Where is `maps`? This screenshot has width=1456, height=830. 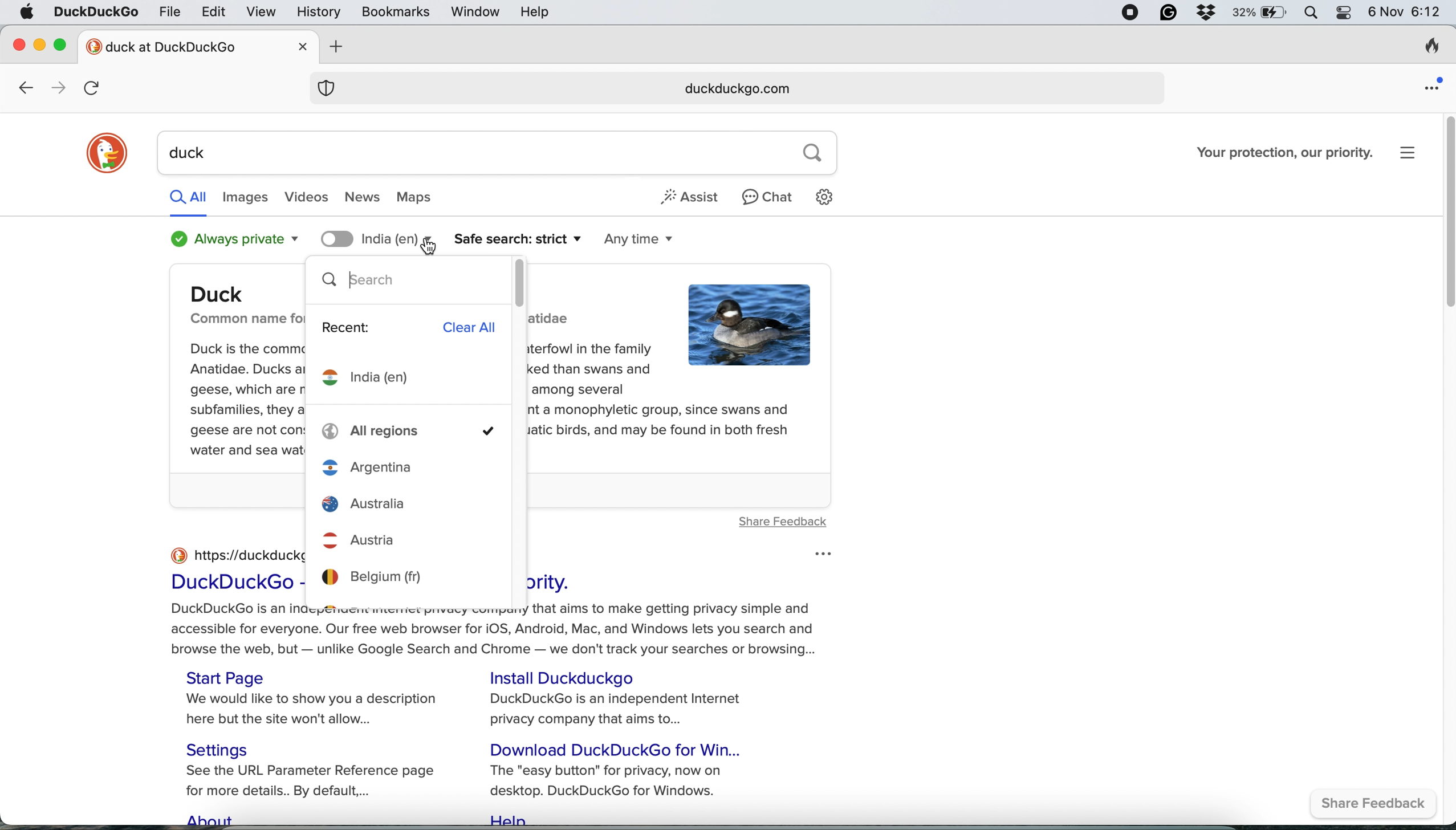
maps is located at coordinates (425, 198).